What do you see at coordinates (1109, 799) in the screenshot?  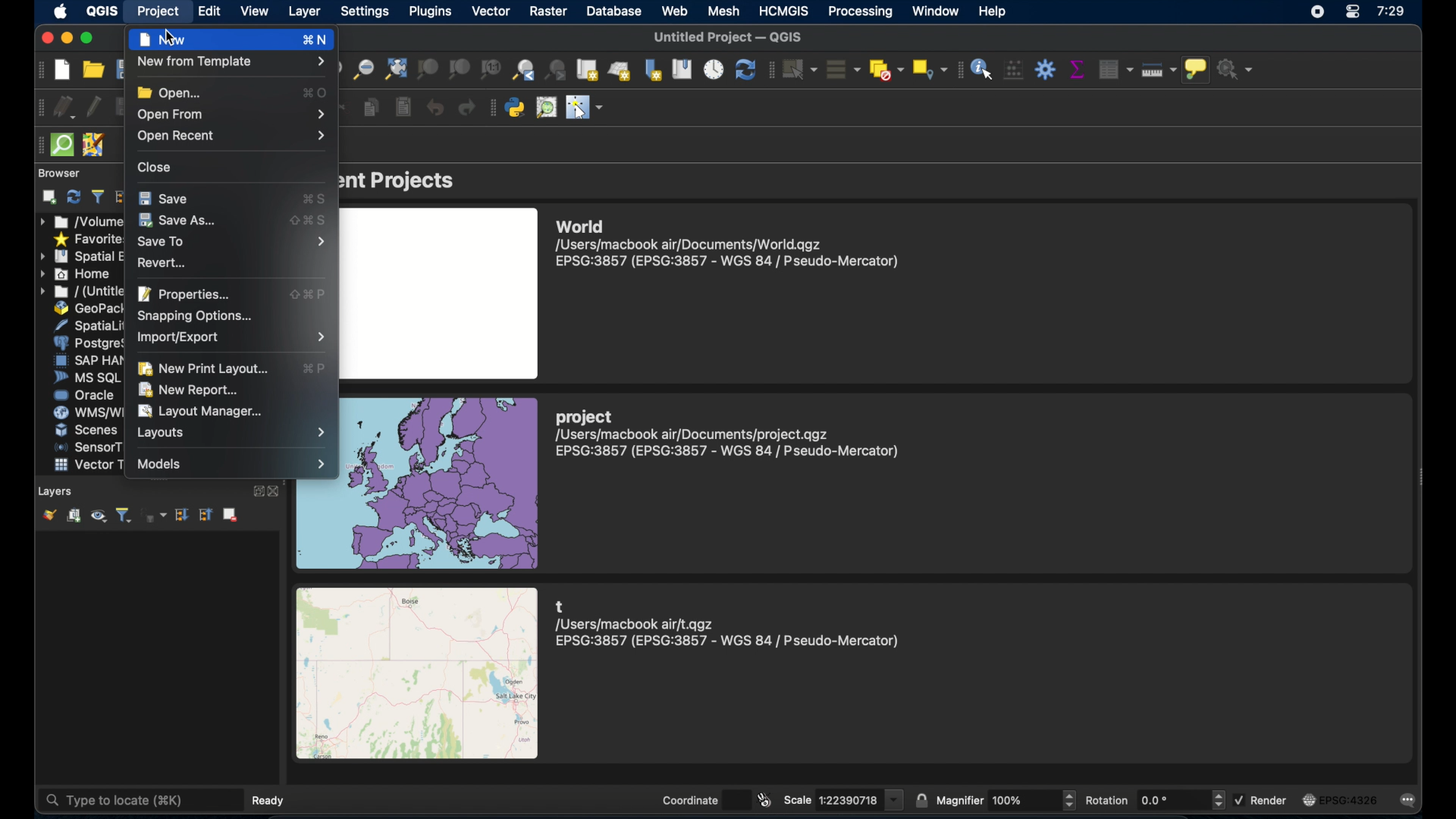 I see `rotation` at bounding box center [1109, 799].